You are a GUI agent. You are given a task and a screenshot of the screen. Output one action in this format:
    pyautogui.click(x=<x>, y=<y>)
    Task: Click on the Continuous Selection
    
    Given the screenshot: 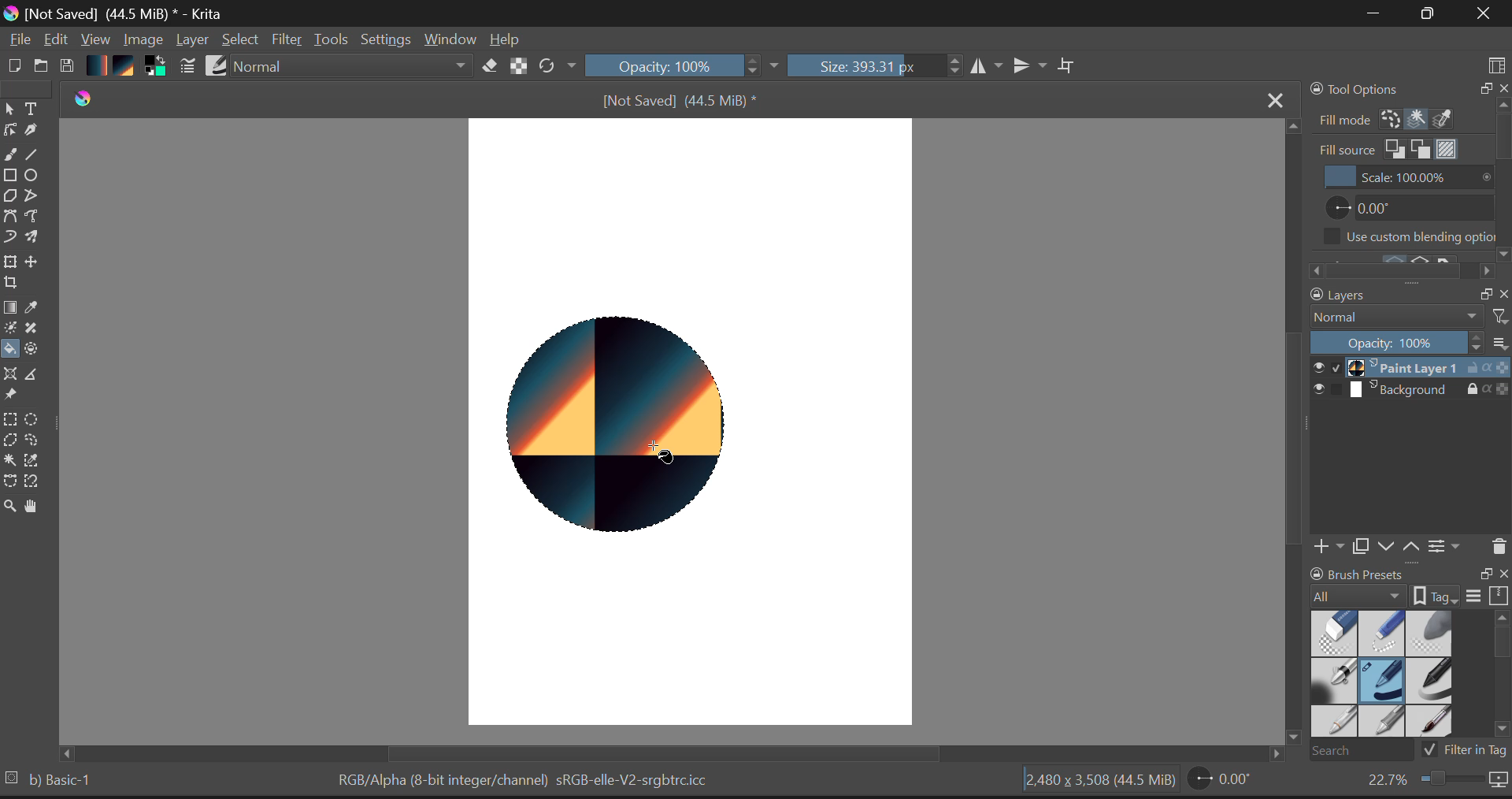 What is the action you would take?
    pyautogui.click(x=13, y=461)
    